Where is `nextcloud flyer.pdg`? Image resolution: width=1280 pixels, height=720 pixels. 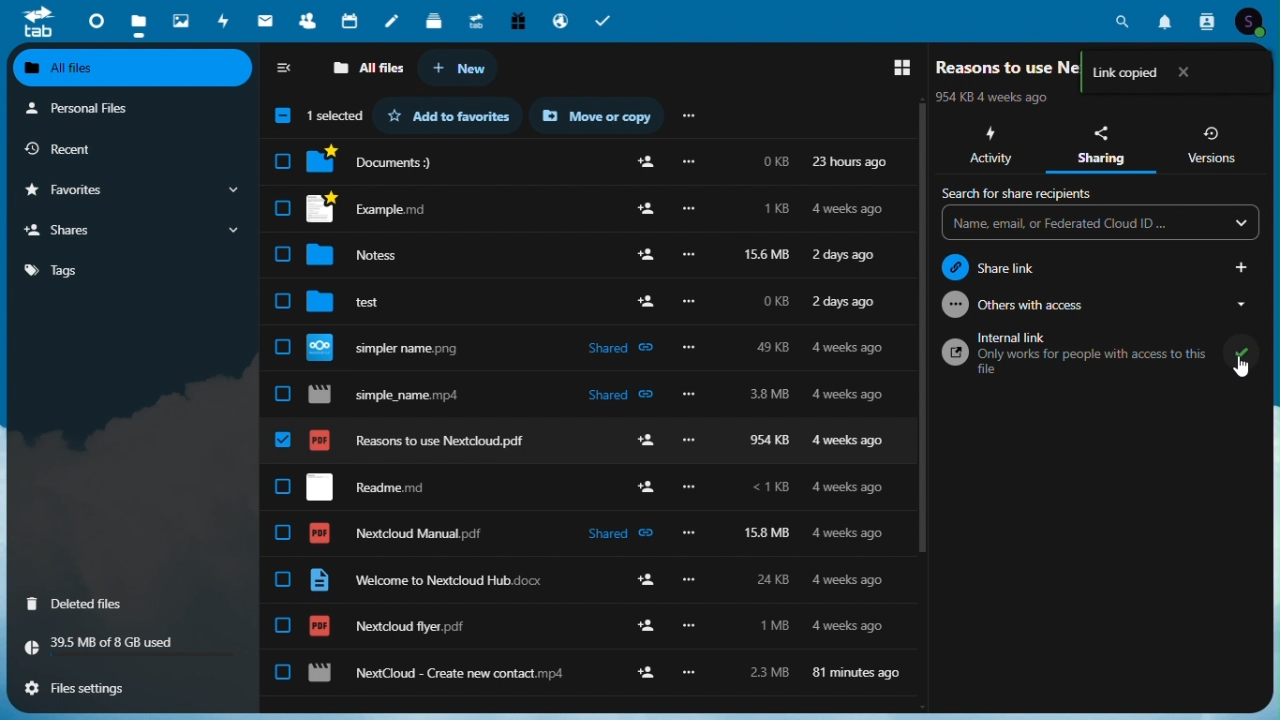
nextcloud flyer.pdg is located at coordinates (387, 626).